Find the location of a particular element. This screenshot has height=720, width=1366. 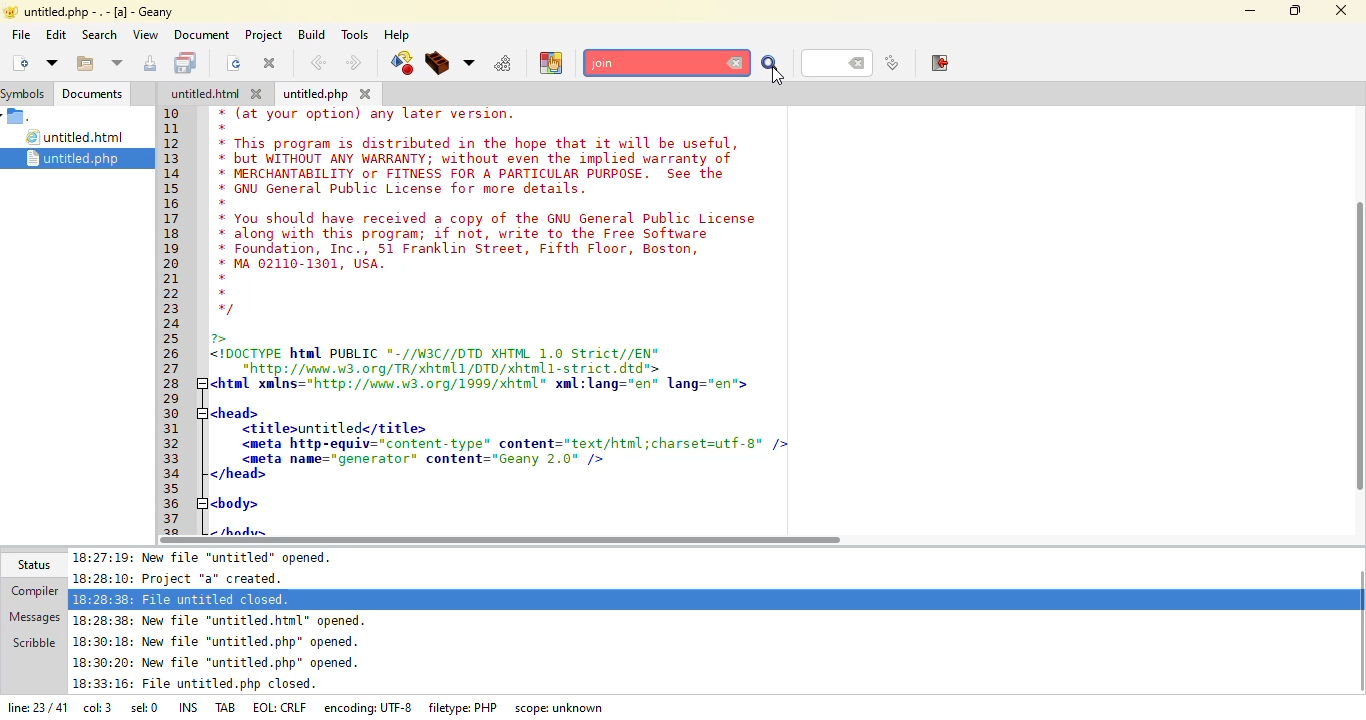

* You should have received a copy of the GNU General Public License is located at coordinates (489, 218).